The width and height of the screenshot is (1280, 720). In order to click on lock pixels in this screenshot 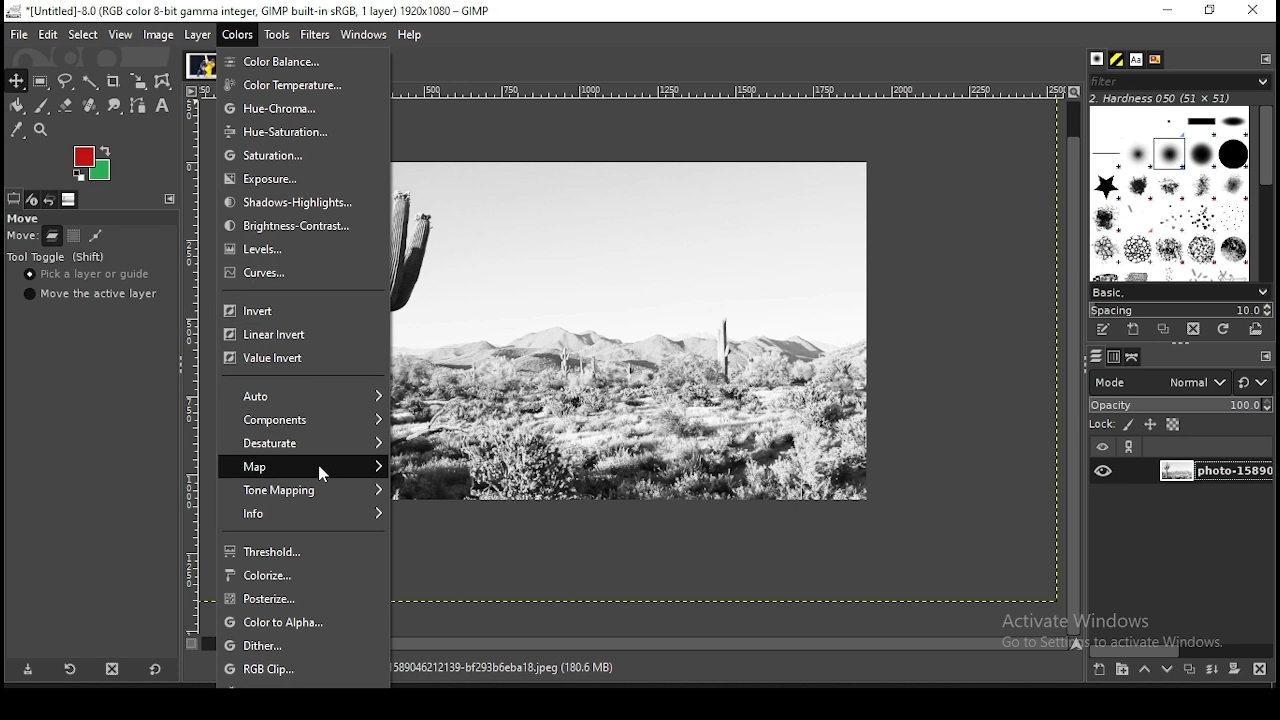, I will do `click(1111, 423)`.